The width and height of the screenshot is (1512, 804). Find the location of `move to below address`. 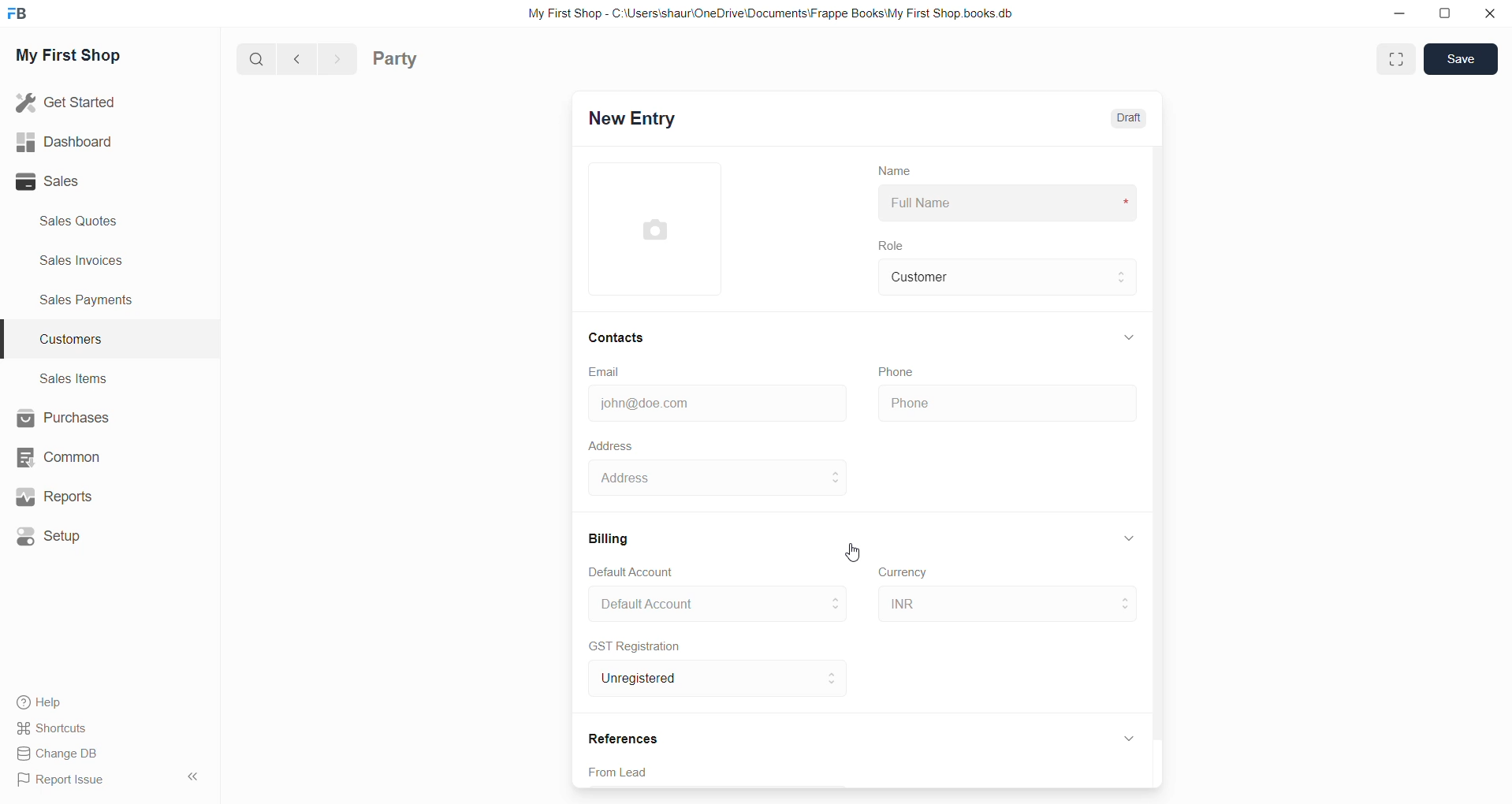

move to below address is located at coordinates (838, 485).